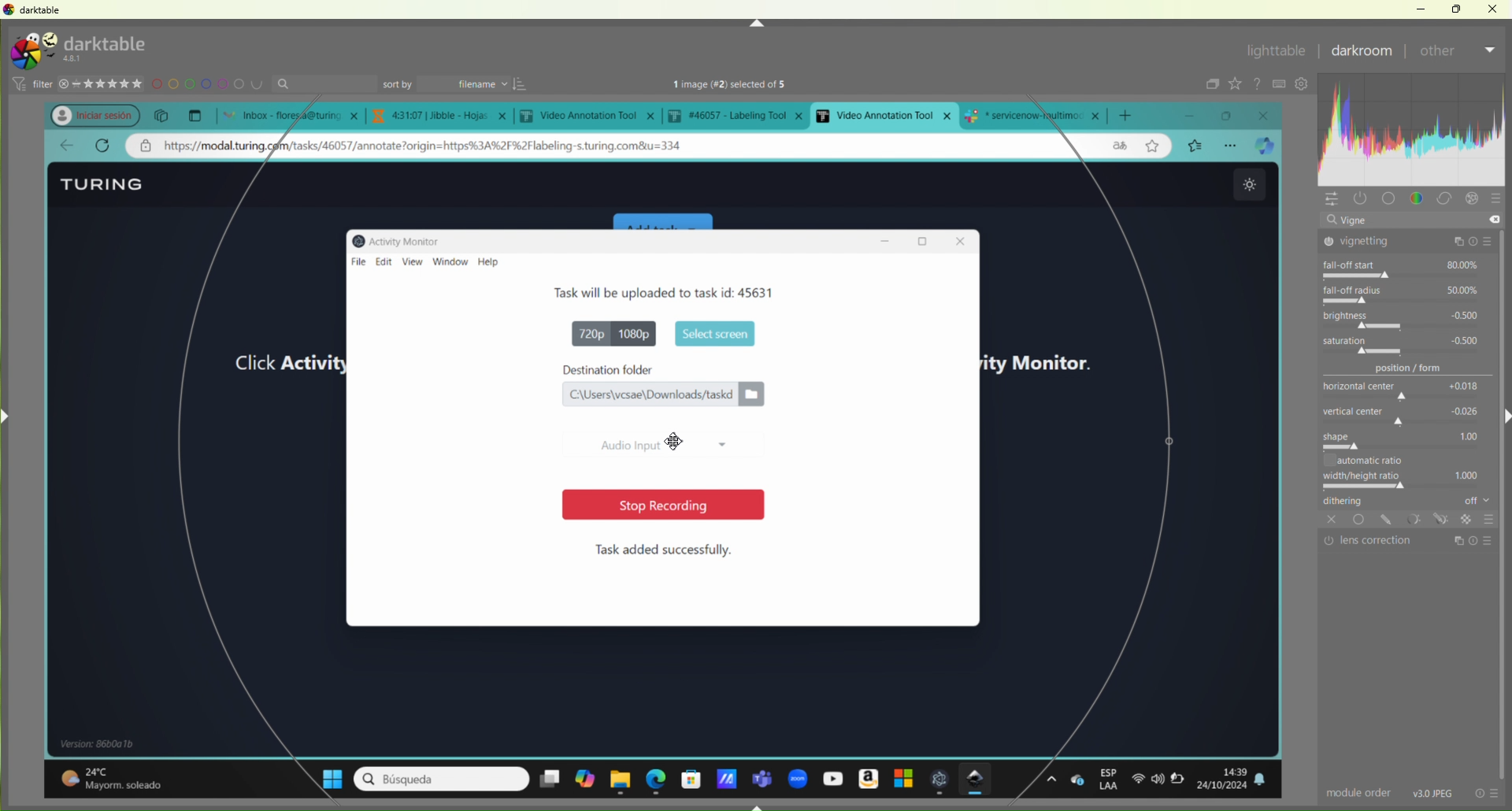 The height and width of the screenshot is (811, 1512). What do you see at coordinates (1277, 51) in the screenshot?
I see `lightable` at bounding box center [1277, 51].